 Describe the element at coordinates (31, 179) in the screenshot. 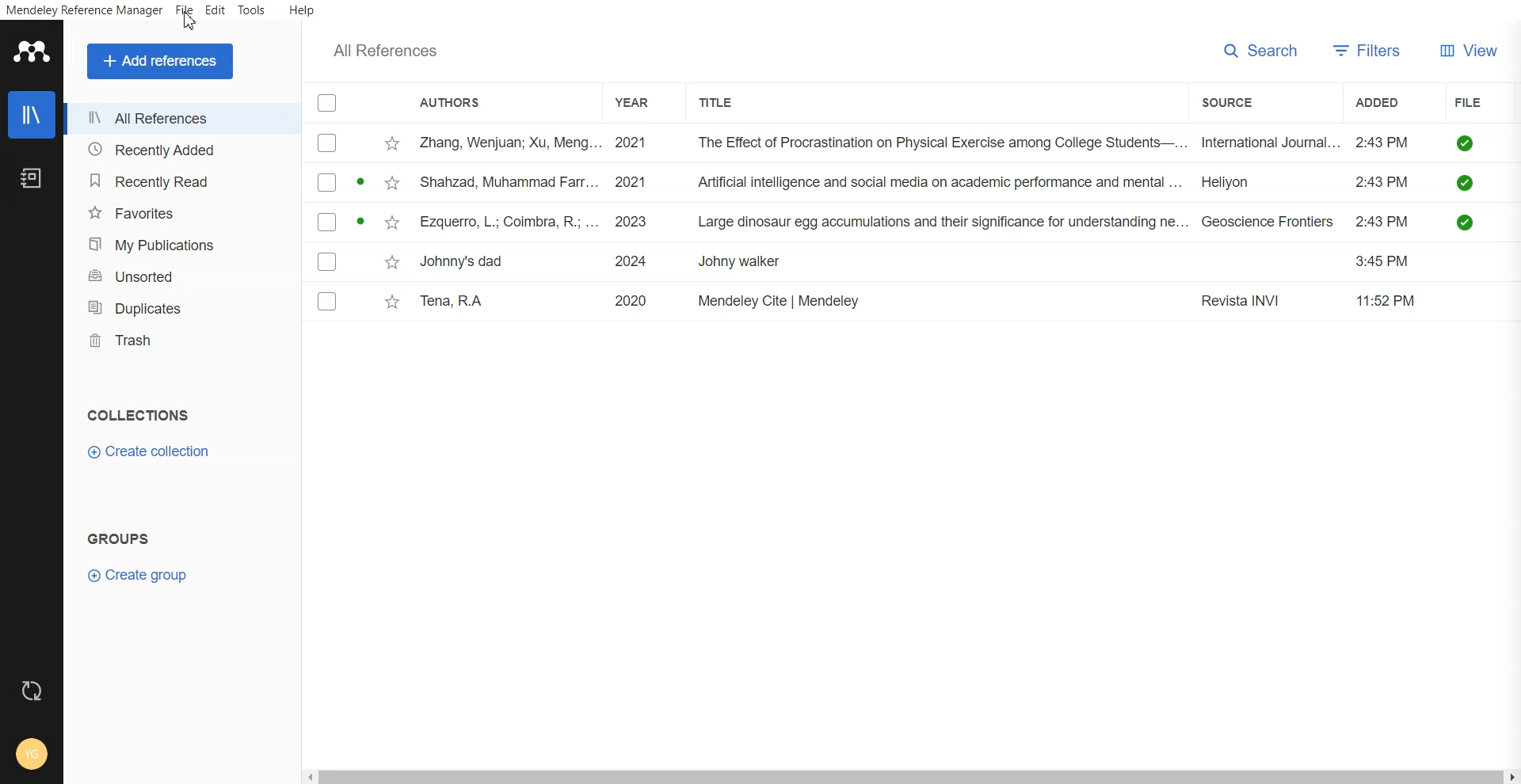

I see `Notebook` at that location.